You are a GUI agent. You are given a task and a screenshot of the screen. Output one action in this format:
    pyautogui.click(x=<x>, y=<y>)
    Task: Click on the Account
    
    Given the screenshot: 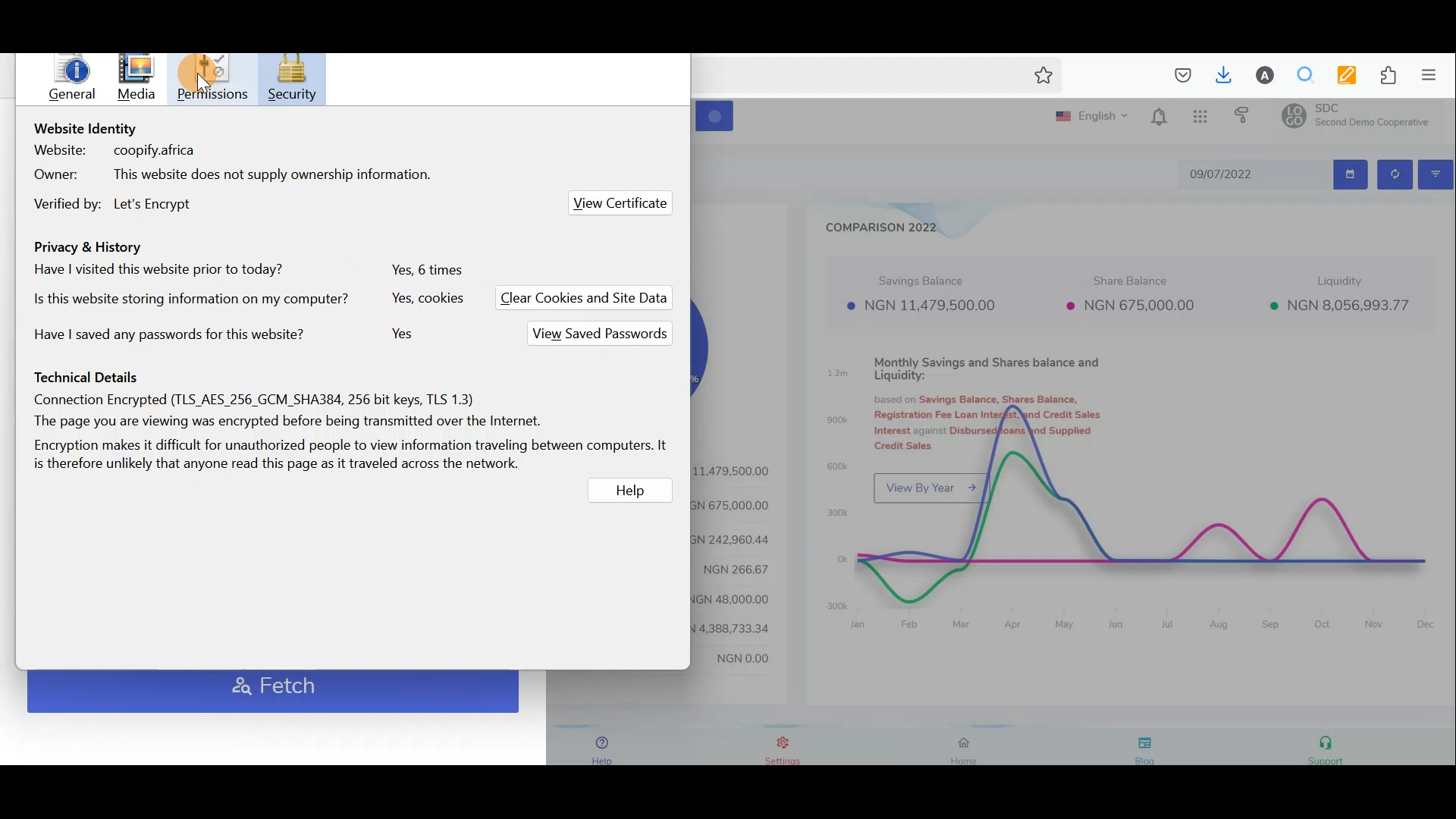 What is the action you would take?
    pyautogui.click(x=1259, y=75)
    